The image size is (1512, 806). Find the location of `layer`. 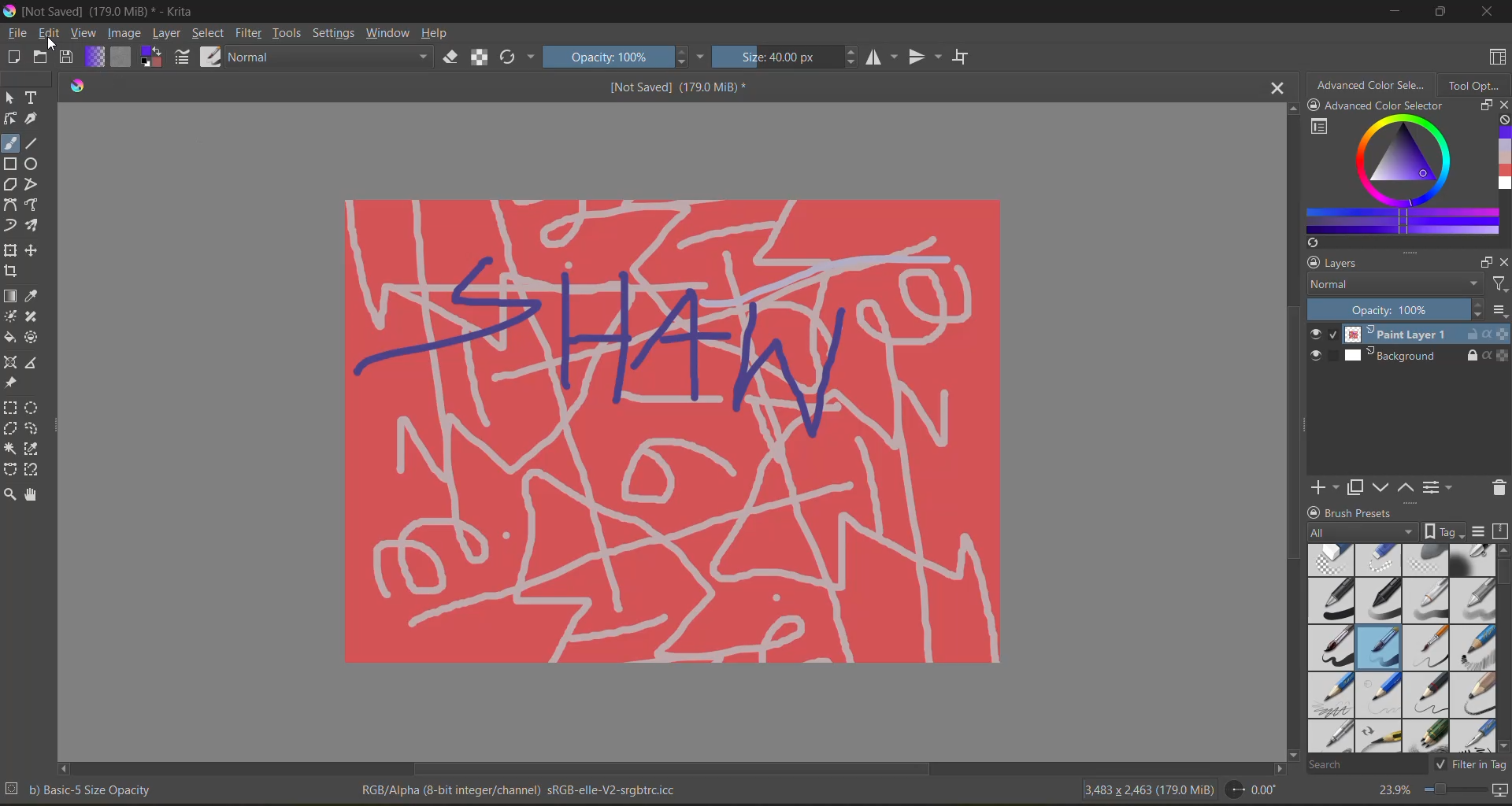

layer is located at coordinates (165, 33).